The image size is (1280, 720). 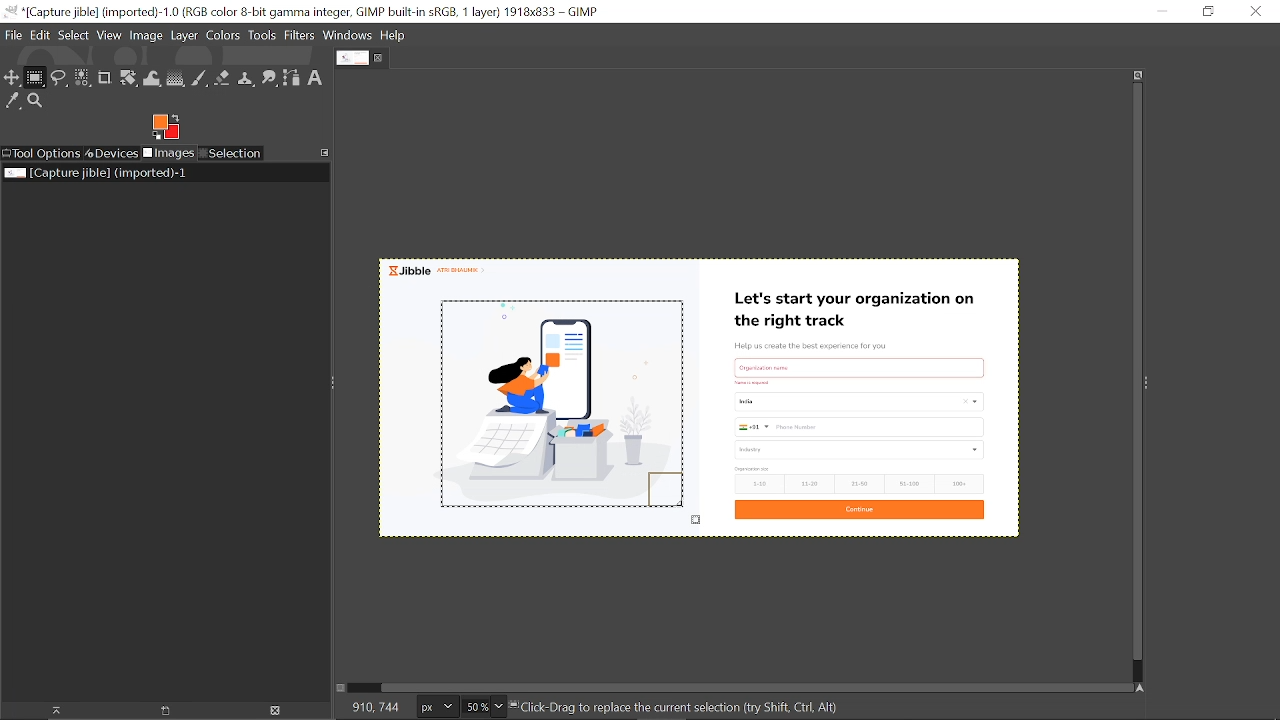 I want to click on 100+, so click(x=959, y=484).